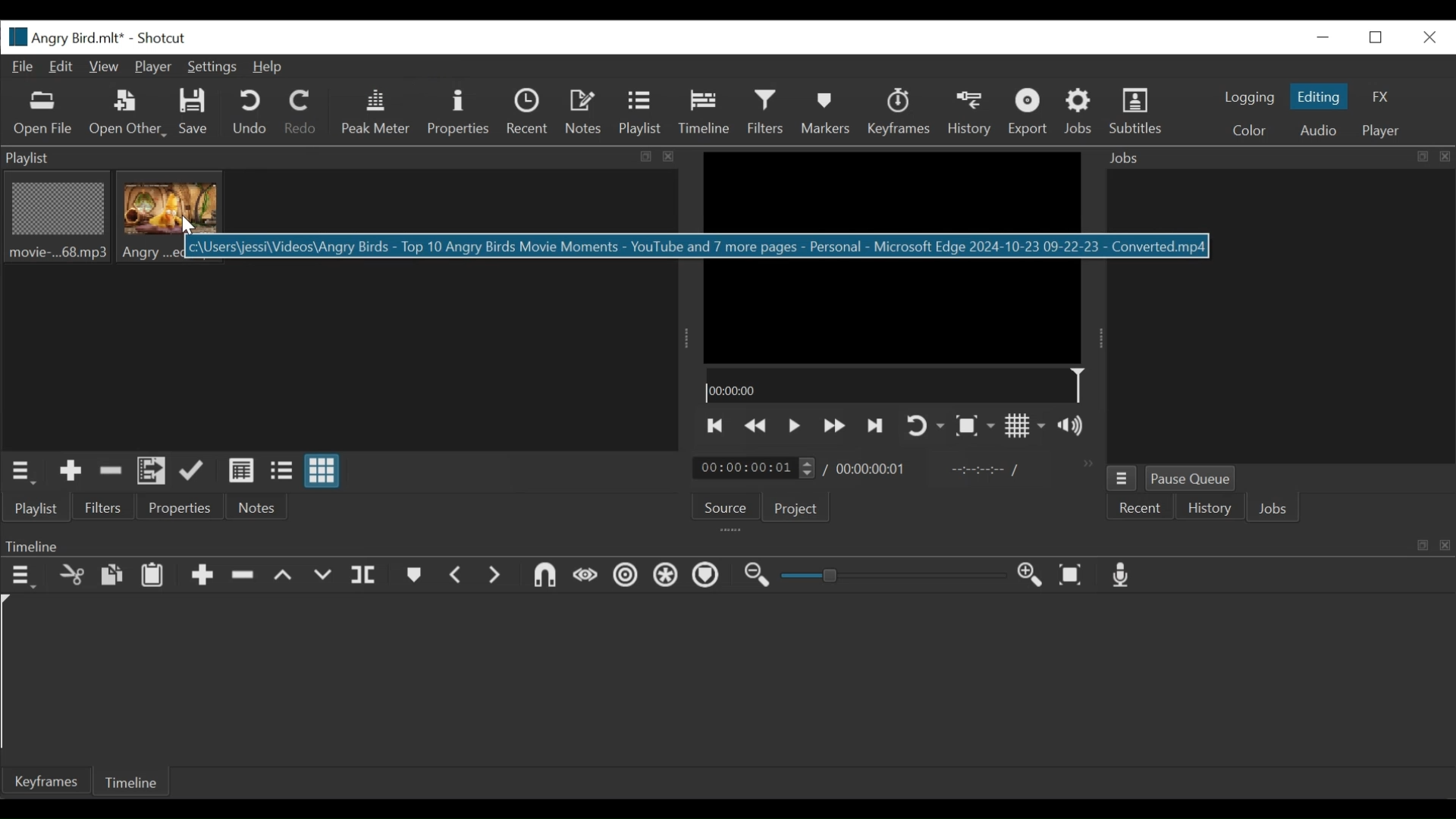  Describe the element at coordinates (897, 576) in the screenshot. I see `Slider` at that location.